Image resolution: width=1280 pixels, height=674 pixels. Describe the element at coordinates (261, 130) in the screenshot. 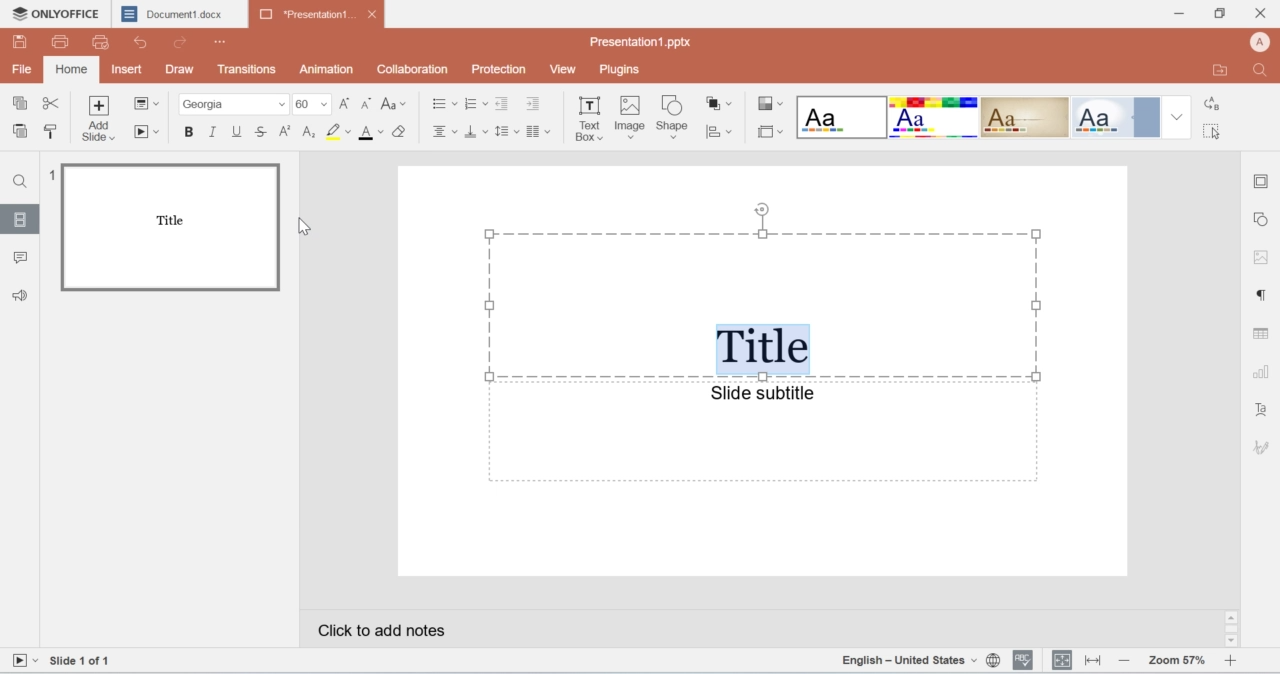

I see `strikethrough` at that location.